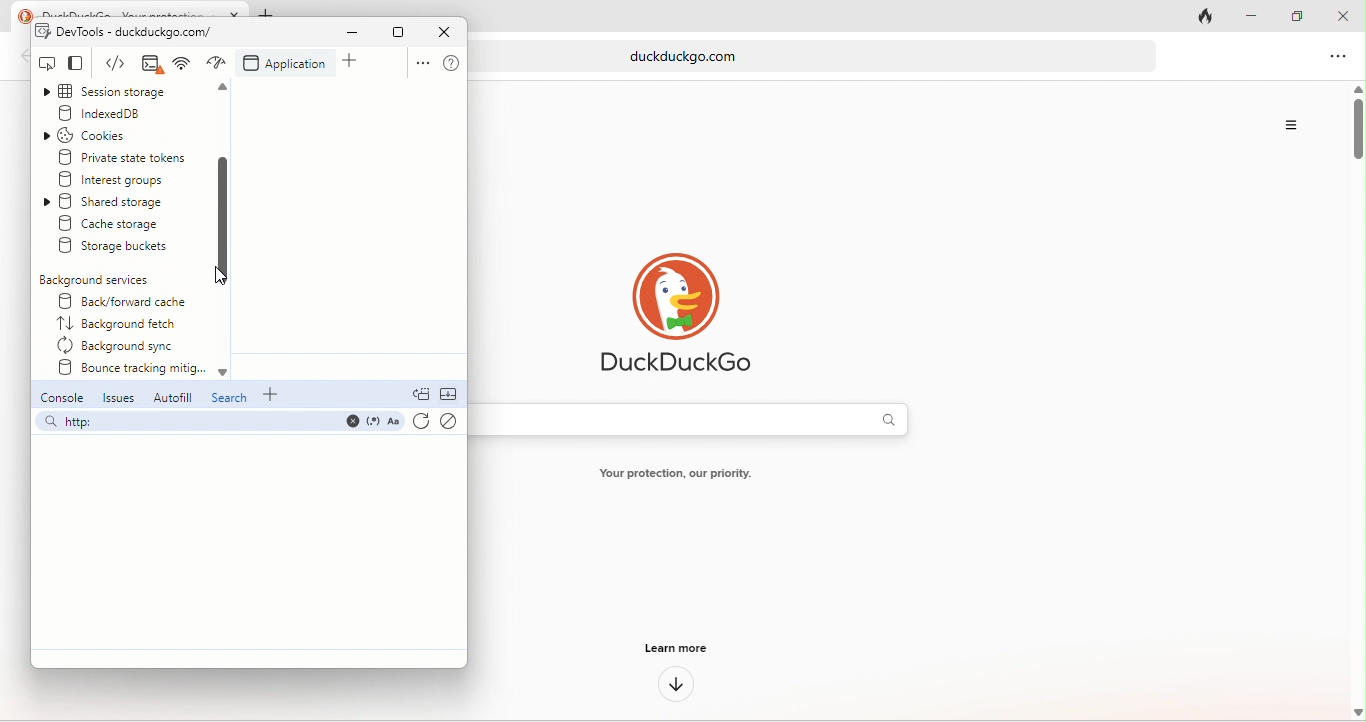  Describe the element at coordinates (229, 400) in the screenshot. I see `search` at that location.